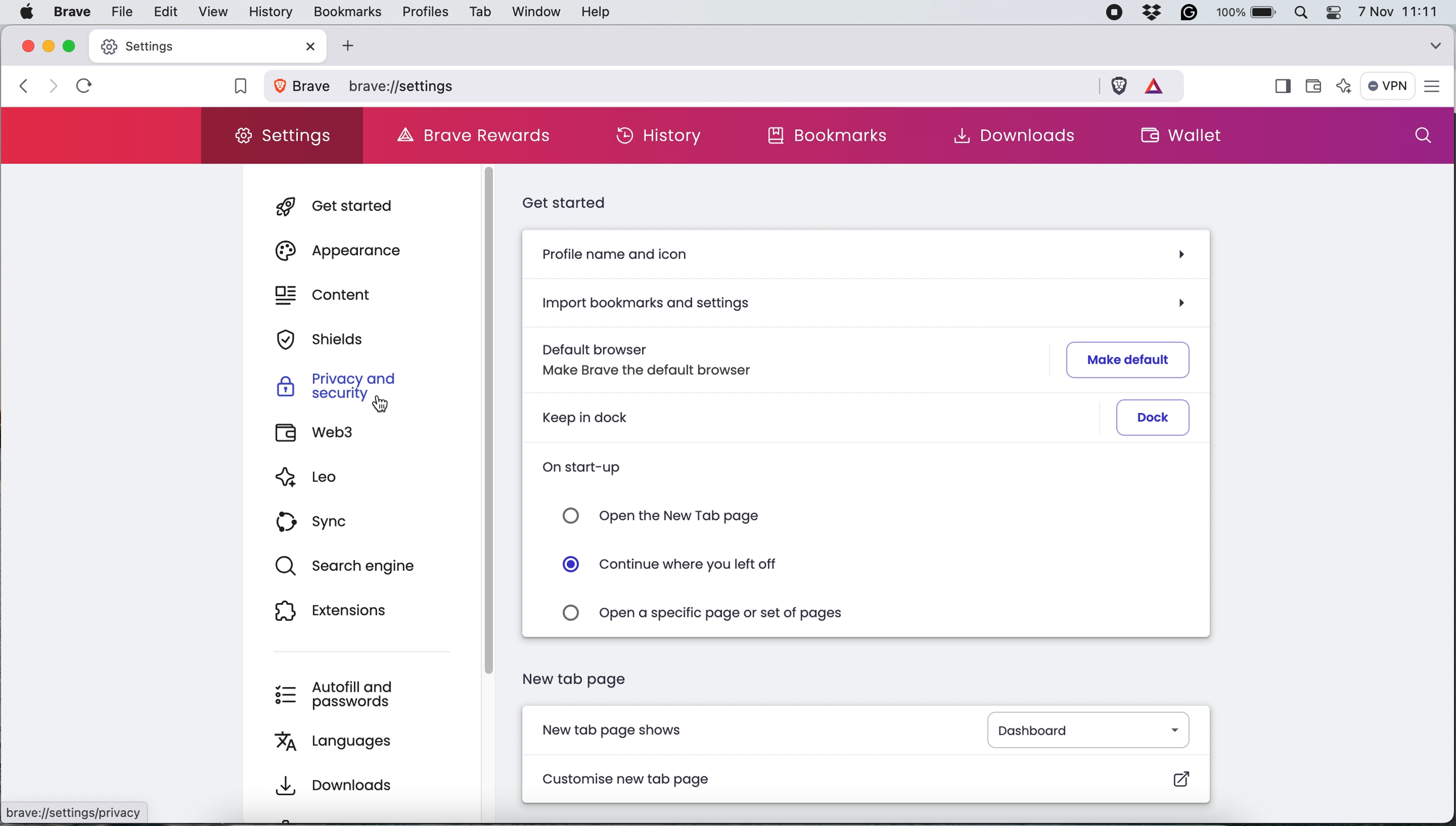  Describe the element at coordinates (1436, 43) in the screenshot. I see `search tabs` at that location.